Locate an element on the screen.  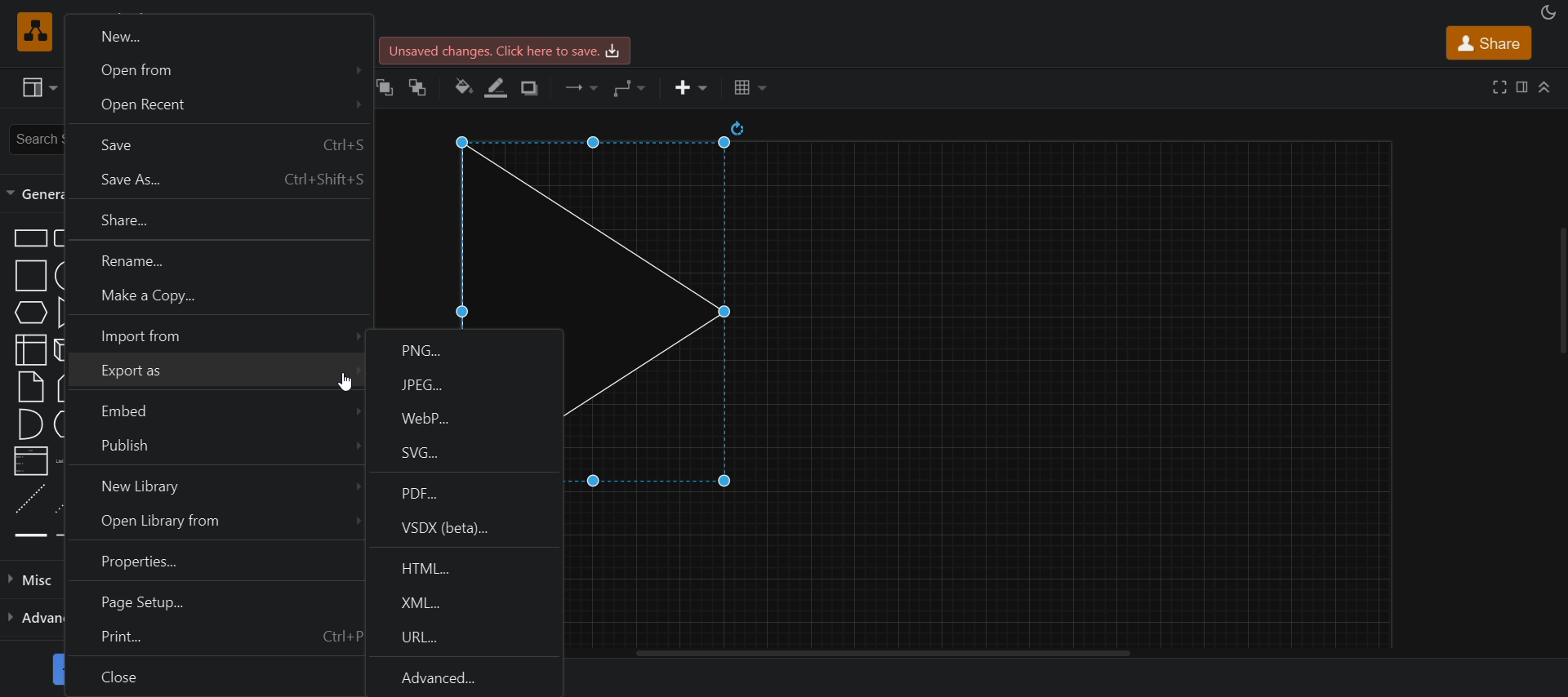
close is located at coordinates (213, 677).